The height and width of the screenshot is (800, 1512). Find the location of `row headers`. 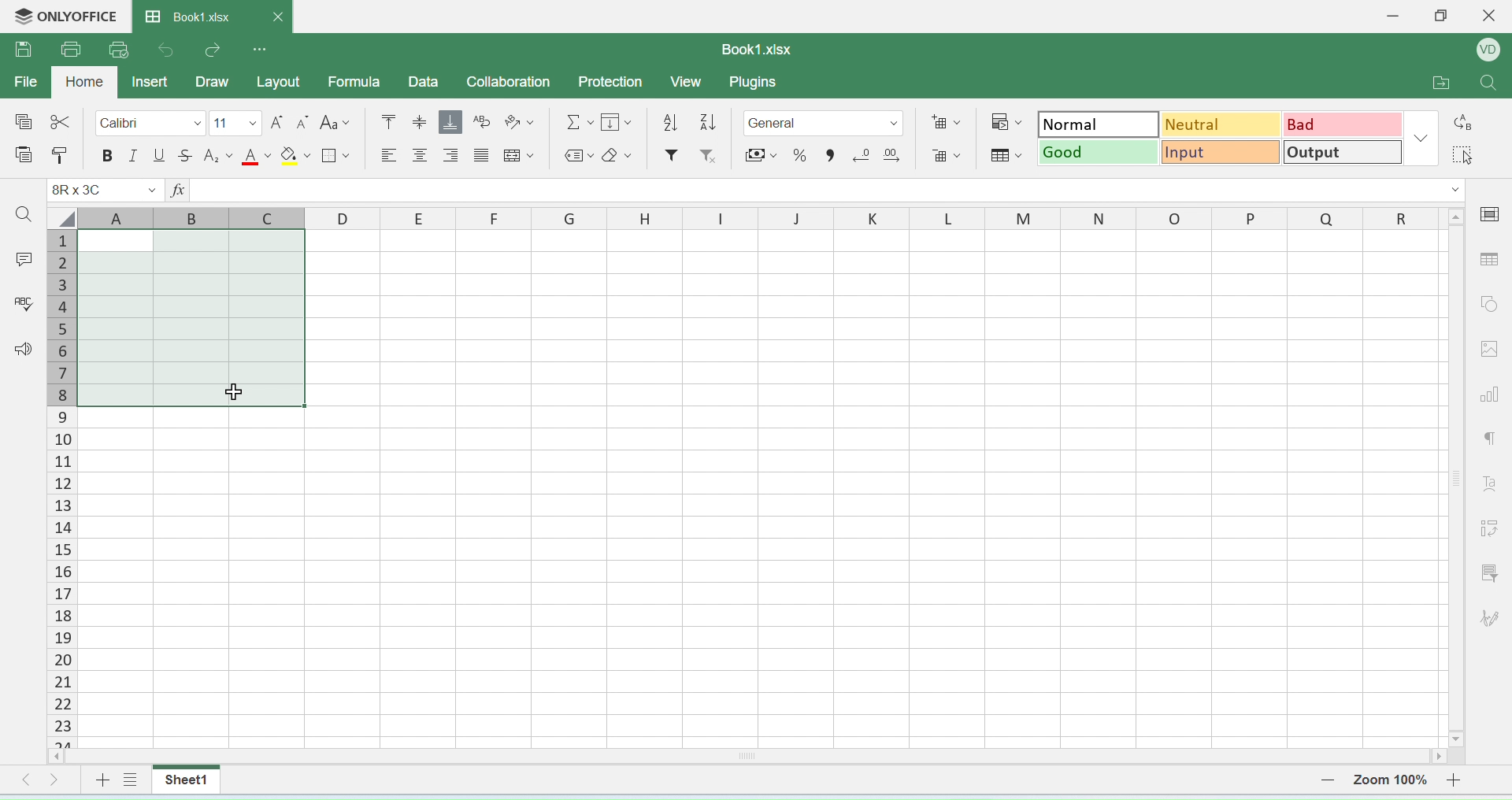

row headers is located at coordinates (760, 218).